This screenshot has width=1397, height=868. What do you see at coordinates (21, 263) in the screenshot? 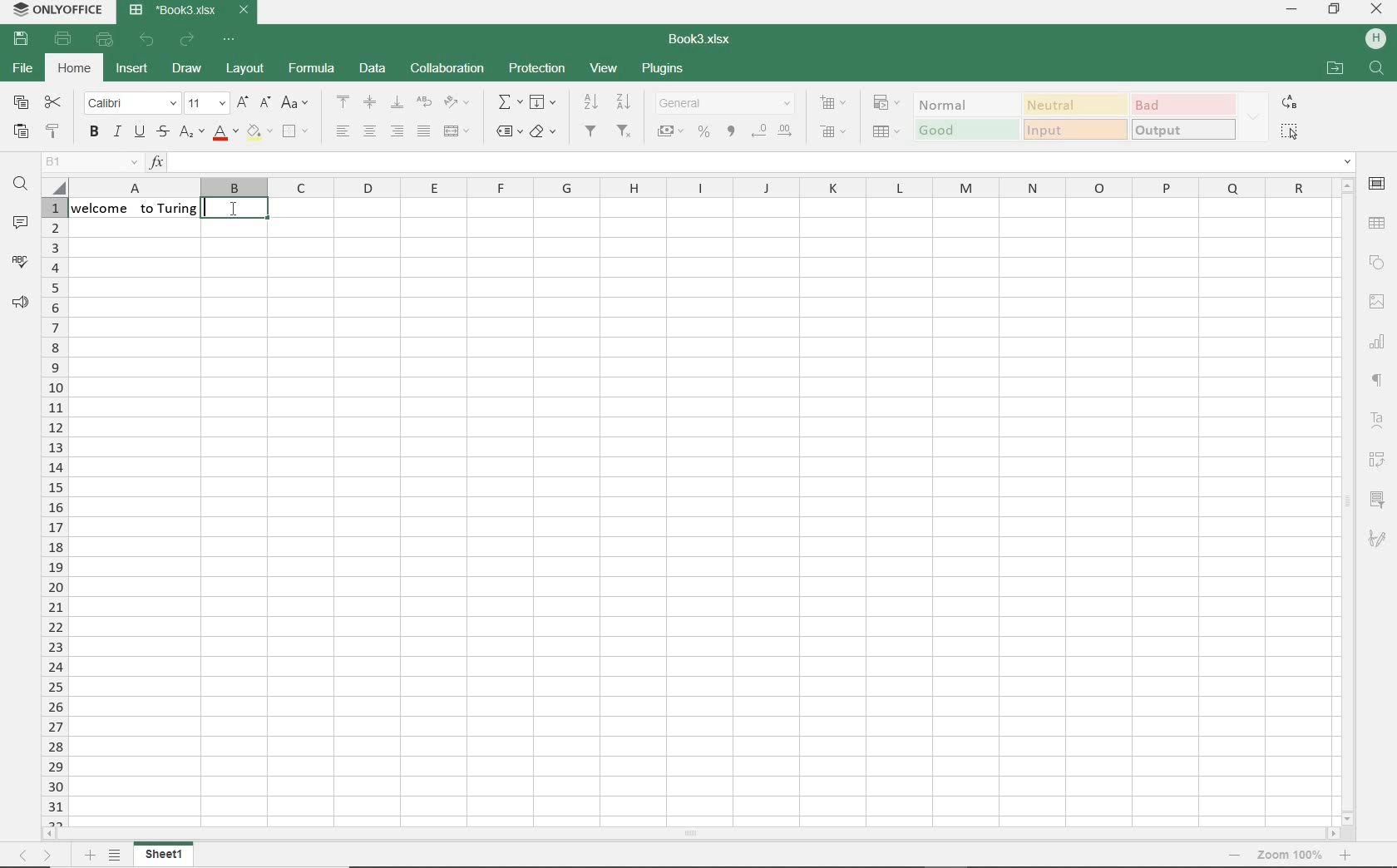
I see `spell checking` at bounding box center [21, 263].